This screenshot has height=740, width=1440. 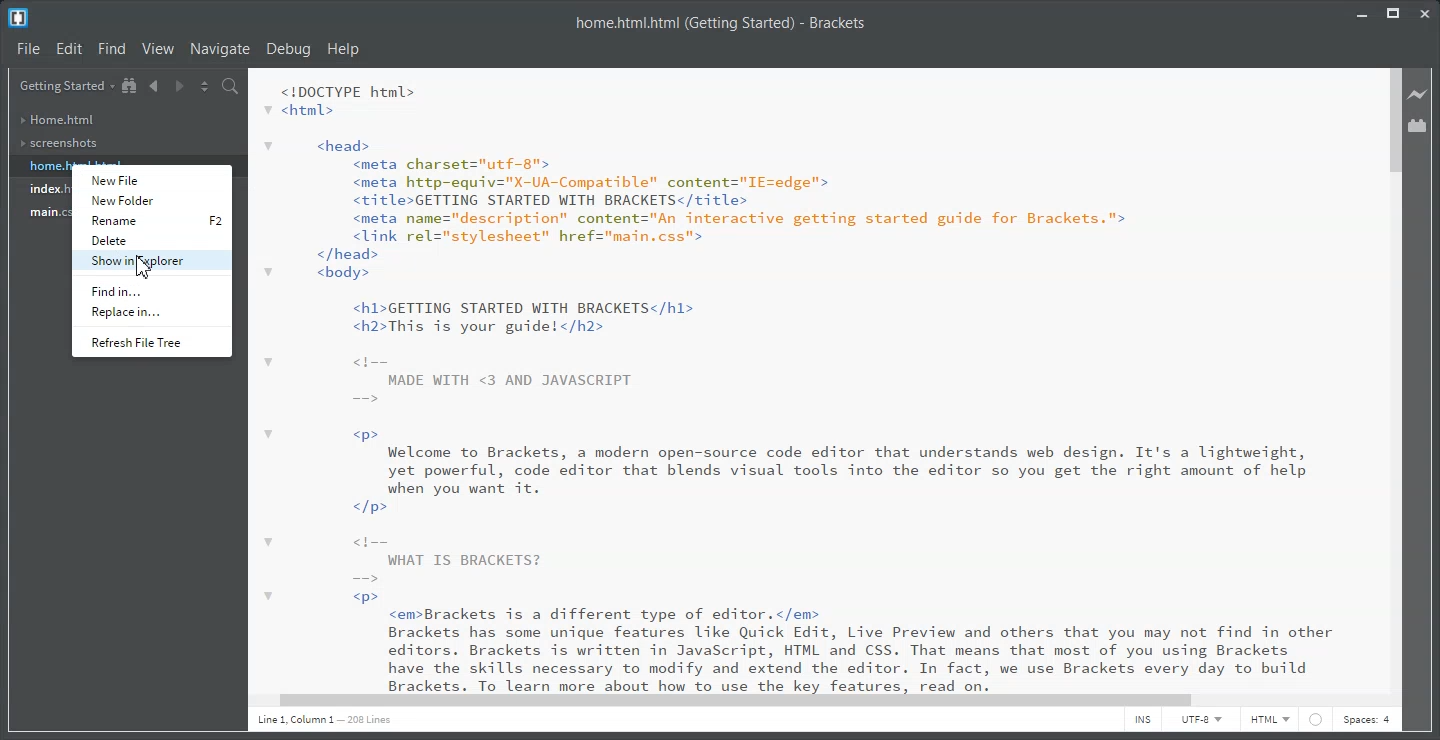 I want to click on Edit, so click(x=71, y=49).